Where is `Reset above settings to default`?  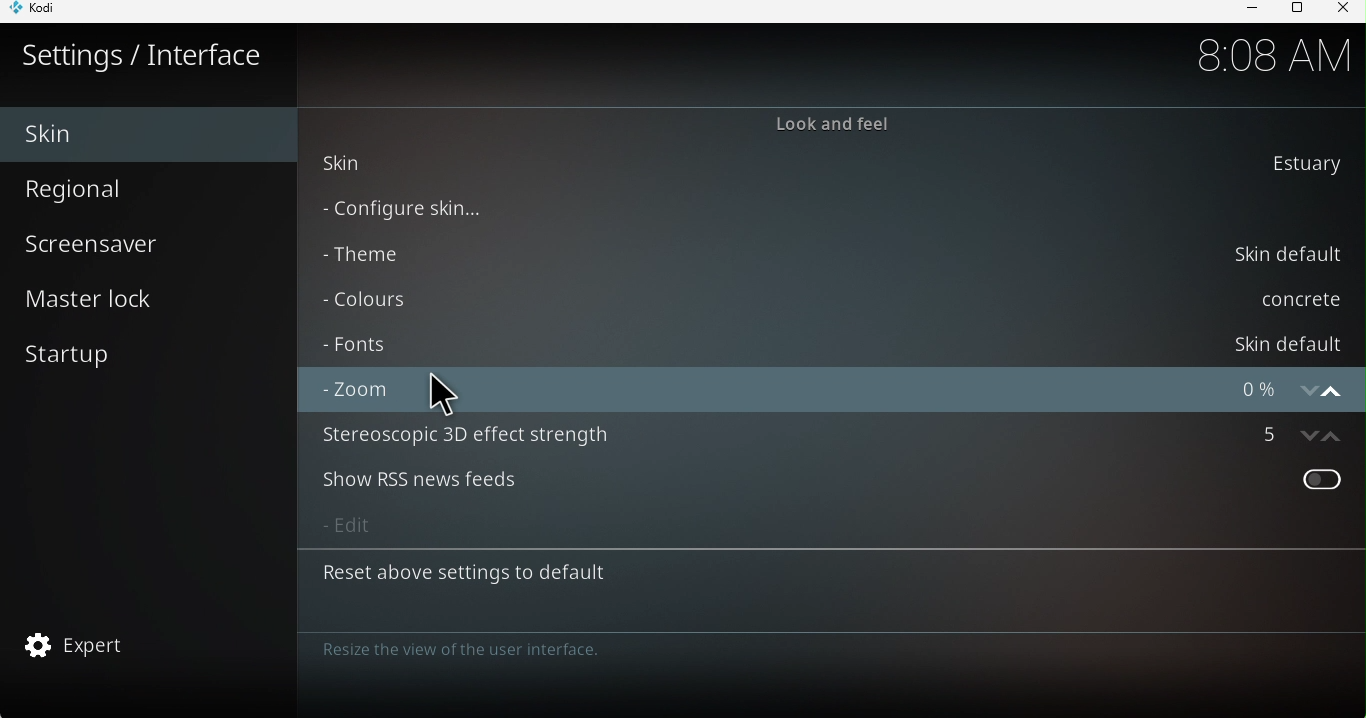 Reset above settings to default is located at coordinates (822, 578).